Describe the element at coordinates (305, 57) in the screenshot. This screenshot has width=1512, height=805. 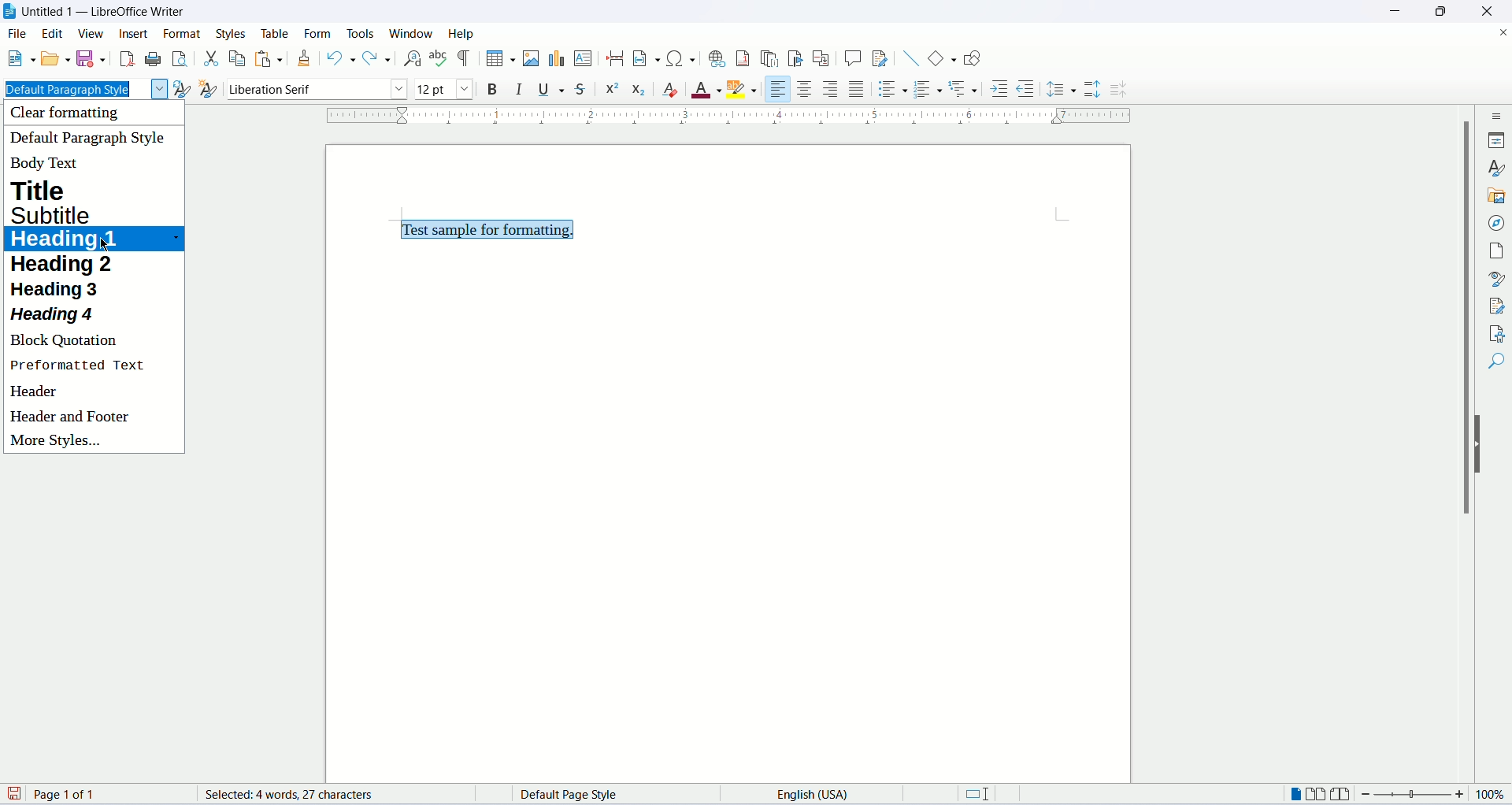
I see `clone formatting` at that location.